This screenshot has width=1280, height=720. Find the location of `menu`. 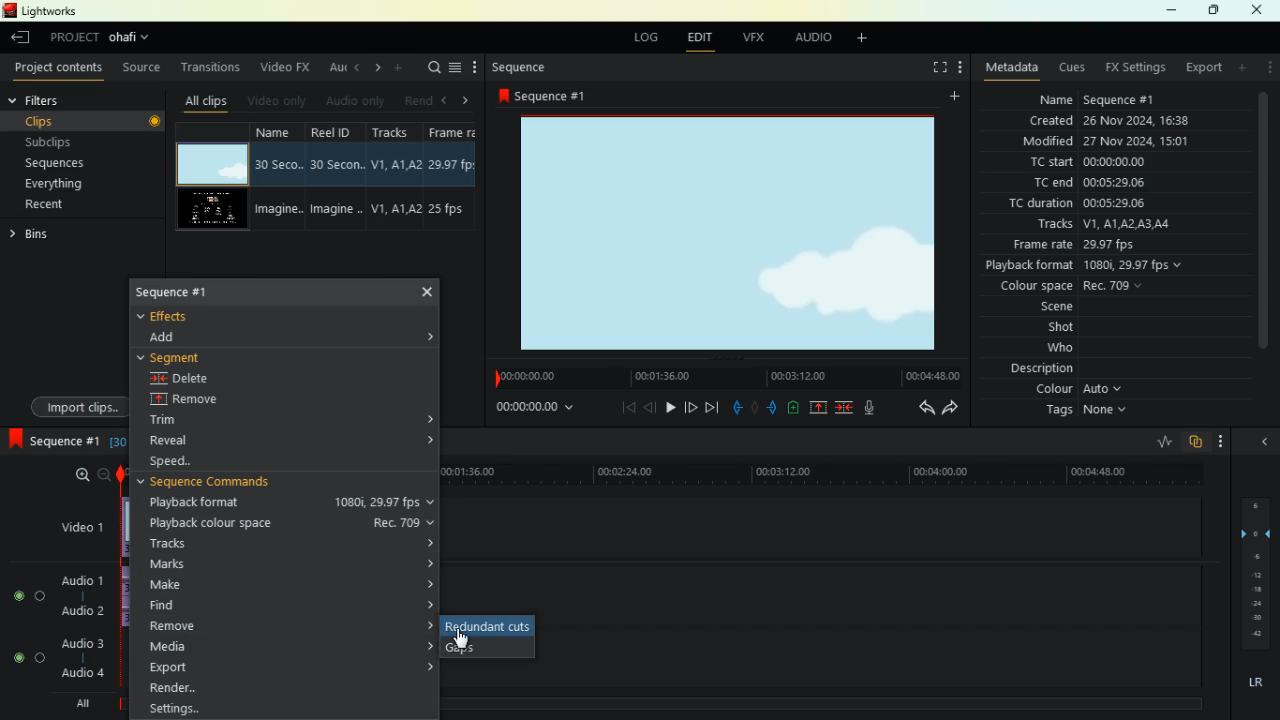

menu is located at coordinates (456, 69).